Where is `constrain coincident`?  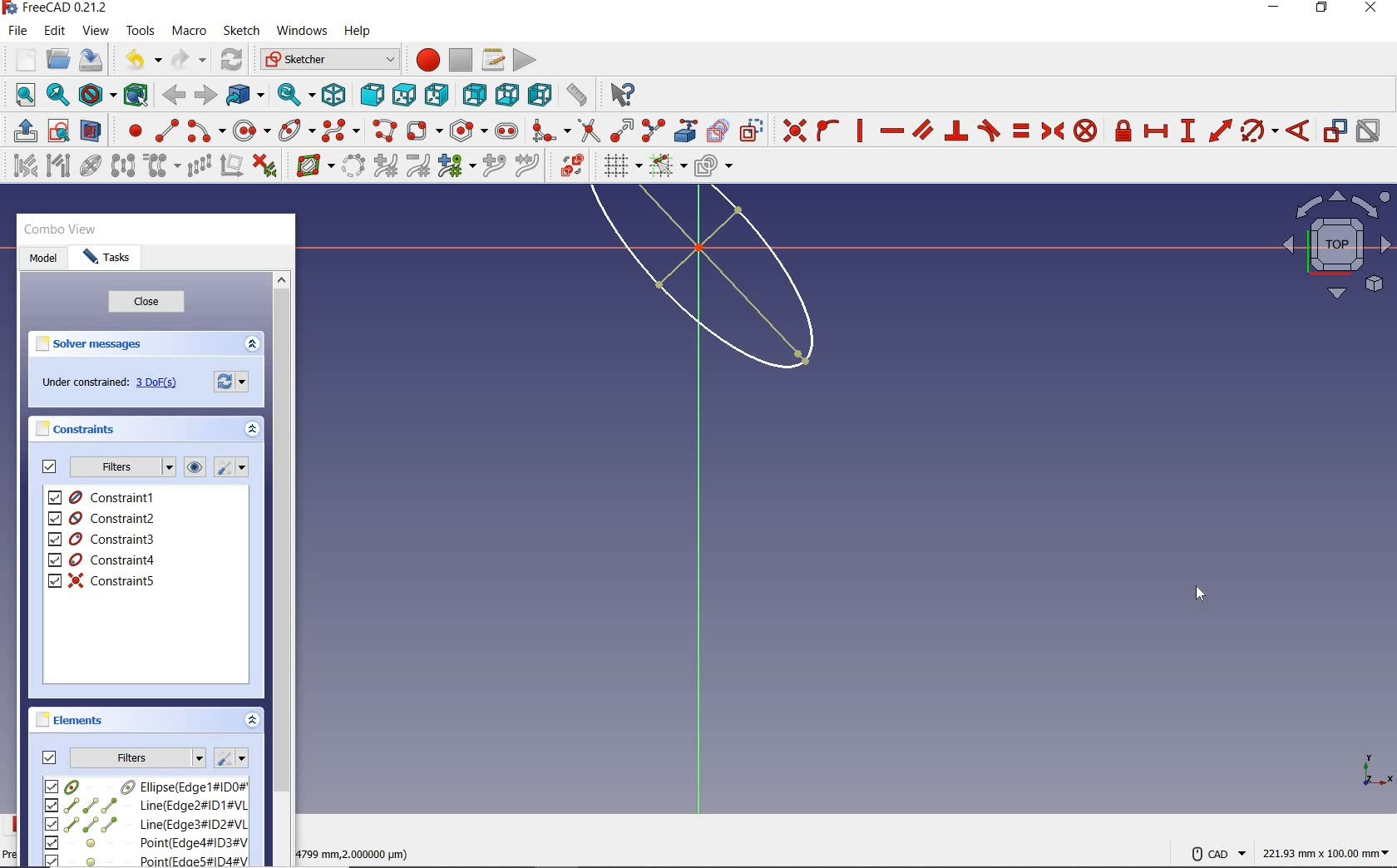
constrain coincident is located at coordinates (790, 131).